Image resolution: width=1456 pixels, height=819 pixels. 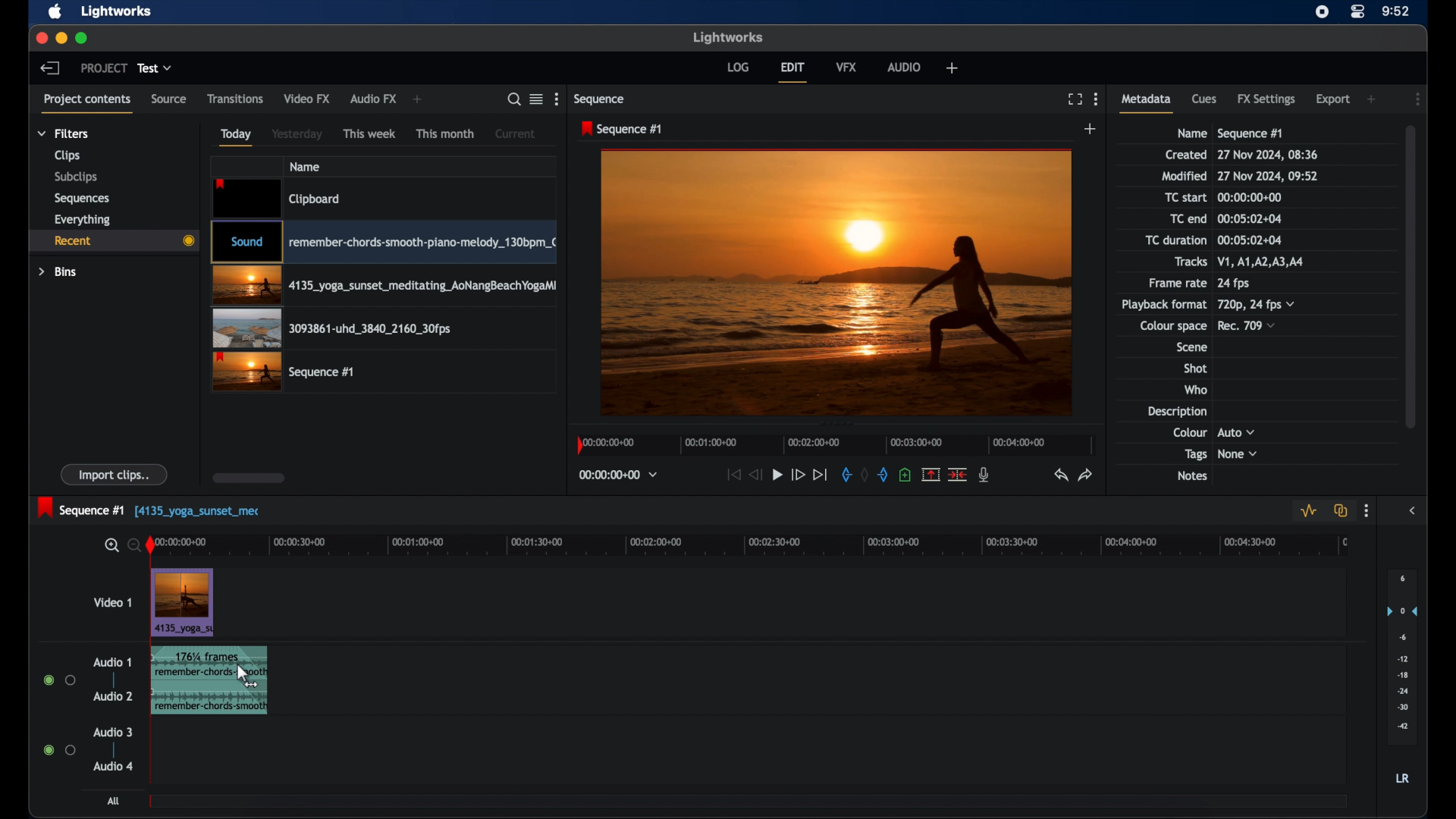 I want to click on tags, so click(x=1195, y=455).